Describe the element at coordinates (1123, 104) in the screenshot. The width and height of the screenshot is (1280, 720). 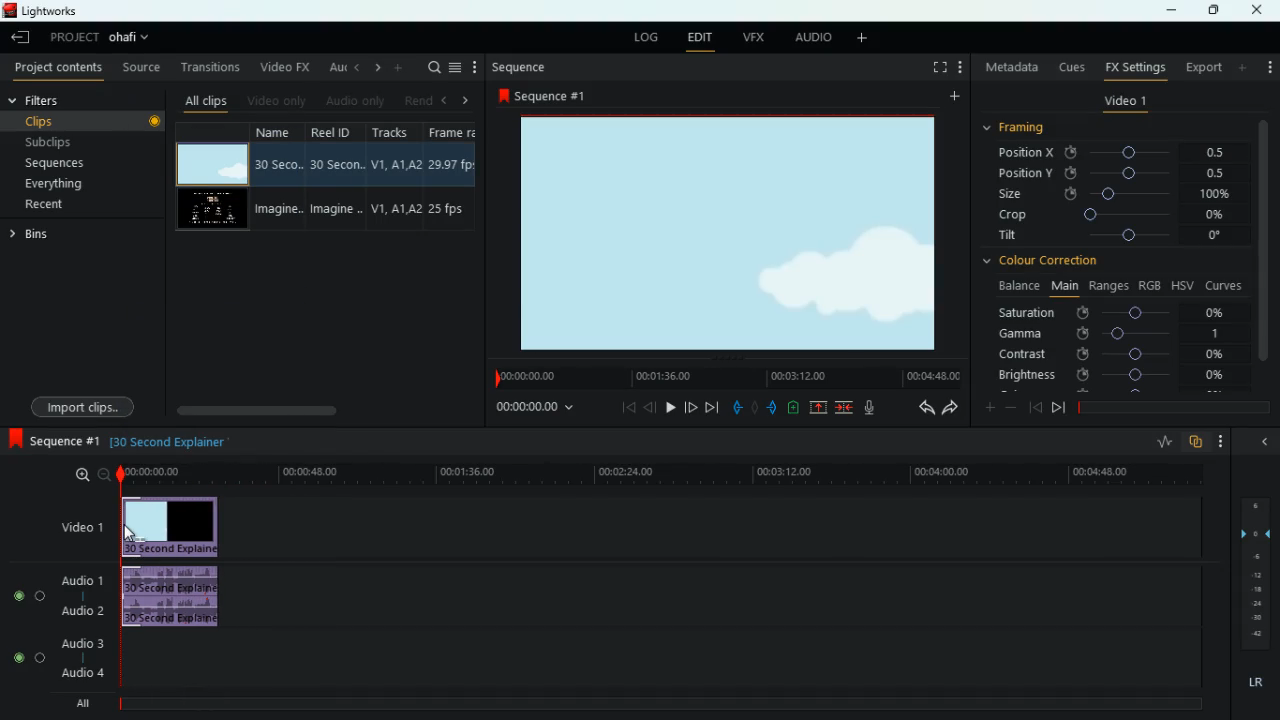
I see `video 1` at that location.